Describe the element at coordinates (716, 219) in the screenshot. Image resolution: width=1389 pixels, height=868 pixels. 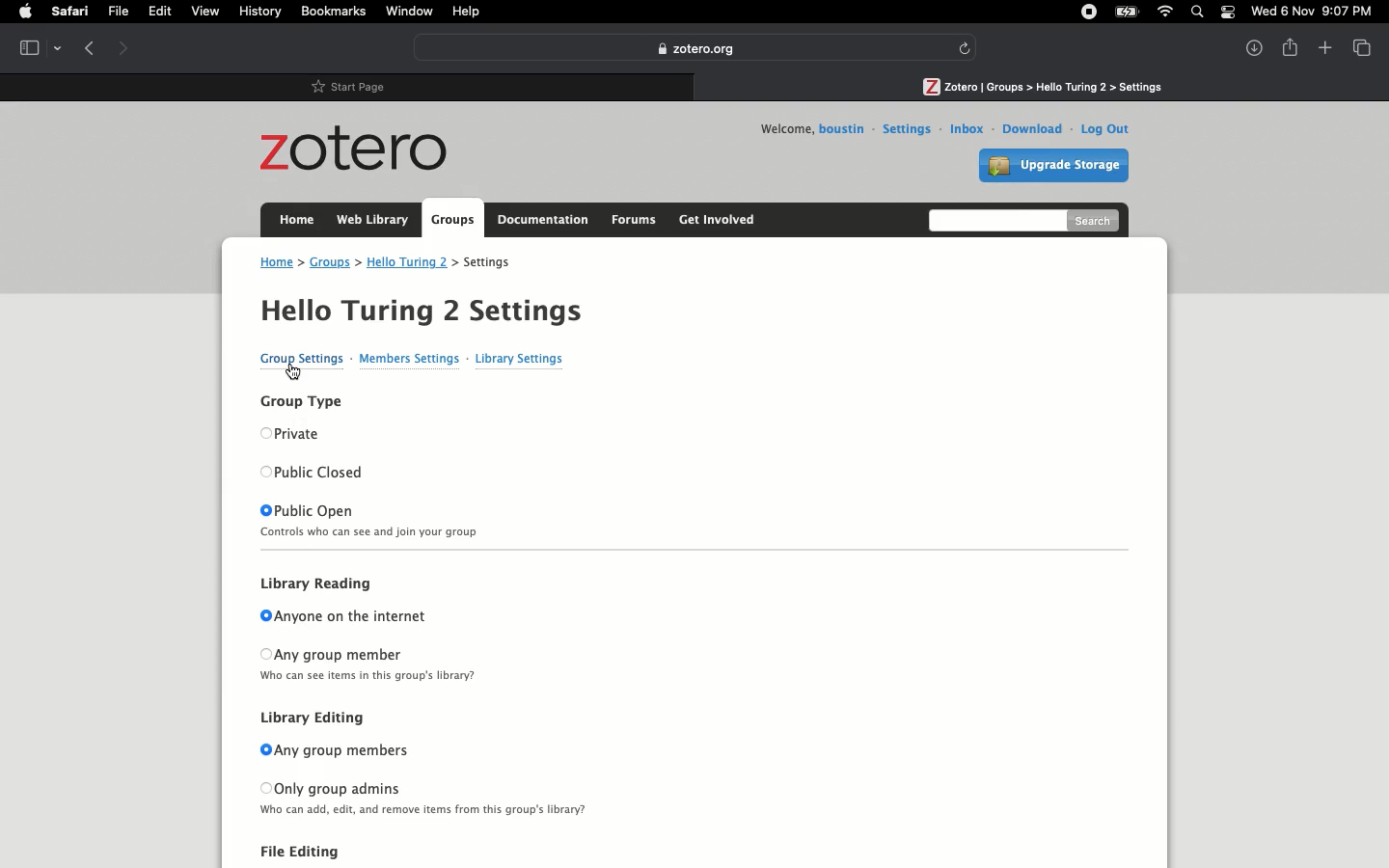
I see `Get involved` at that location.